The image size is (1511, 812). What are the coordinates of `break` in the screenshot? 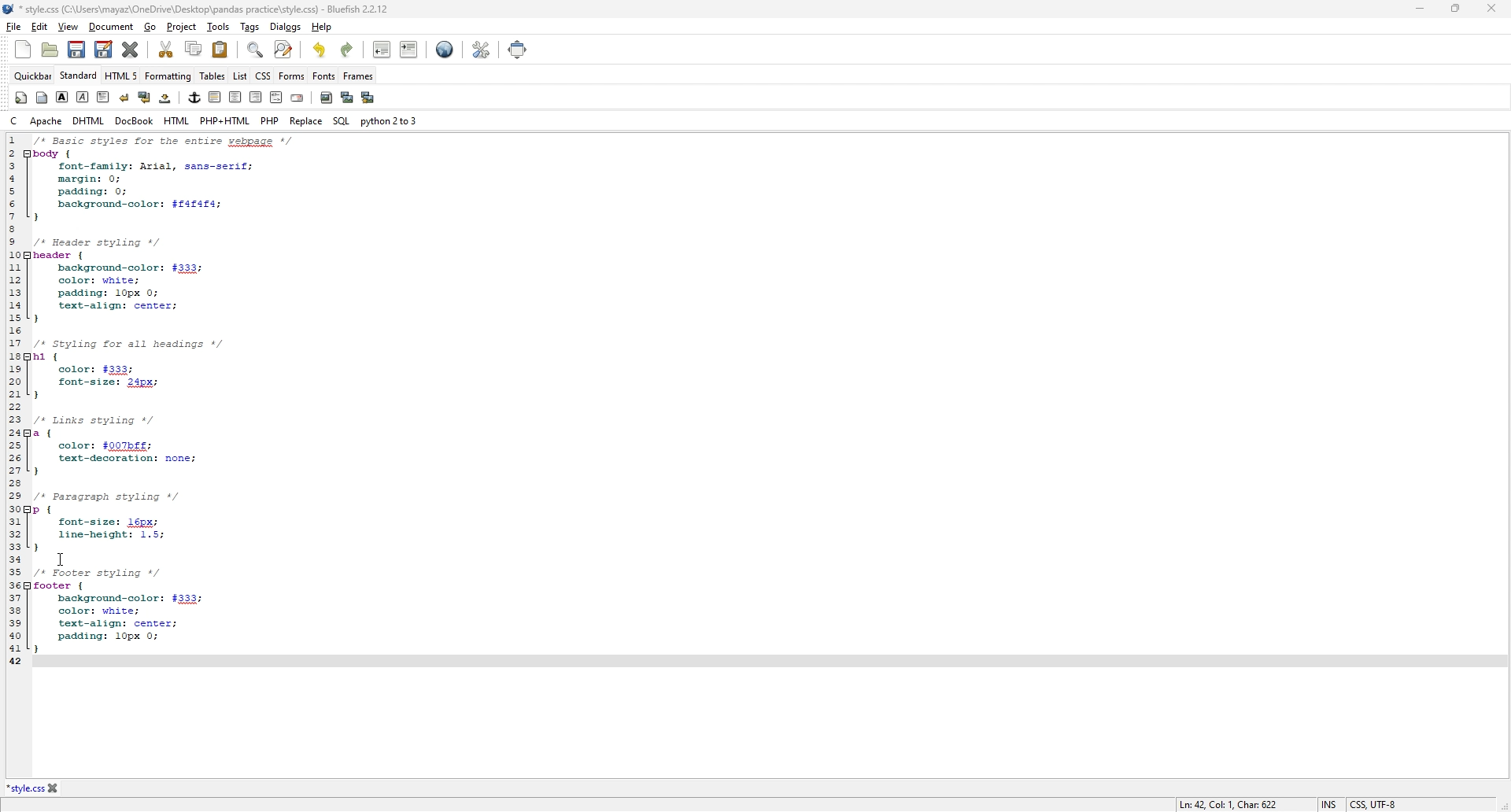 It's located at (124, 98).